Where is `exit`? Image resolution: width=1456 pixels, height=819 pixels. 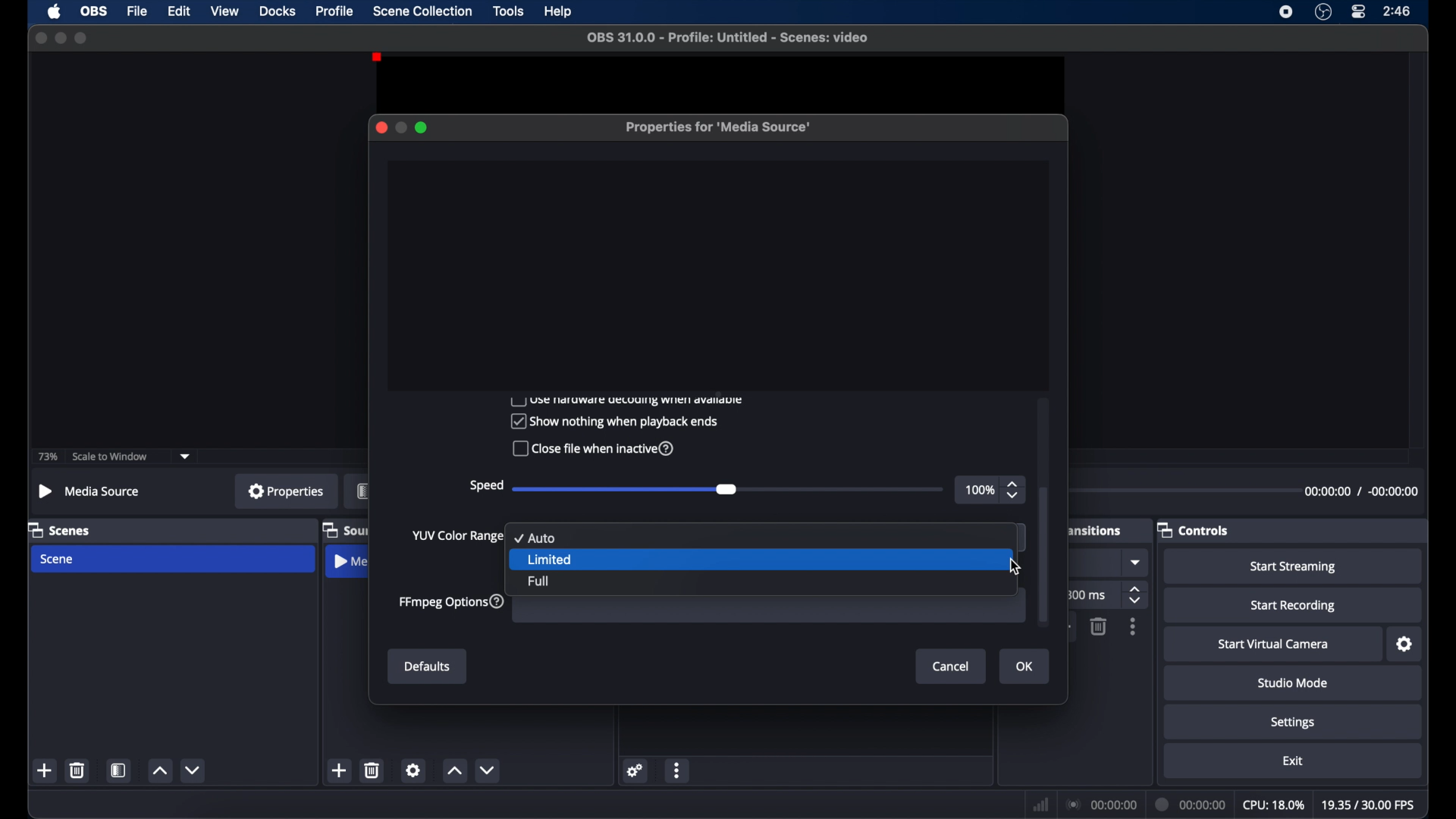 exit is located at coordinates (1293, 761).